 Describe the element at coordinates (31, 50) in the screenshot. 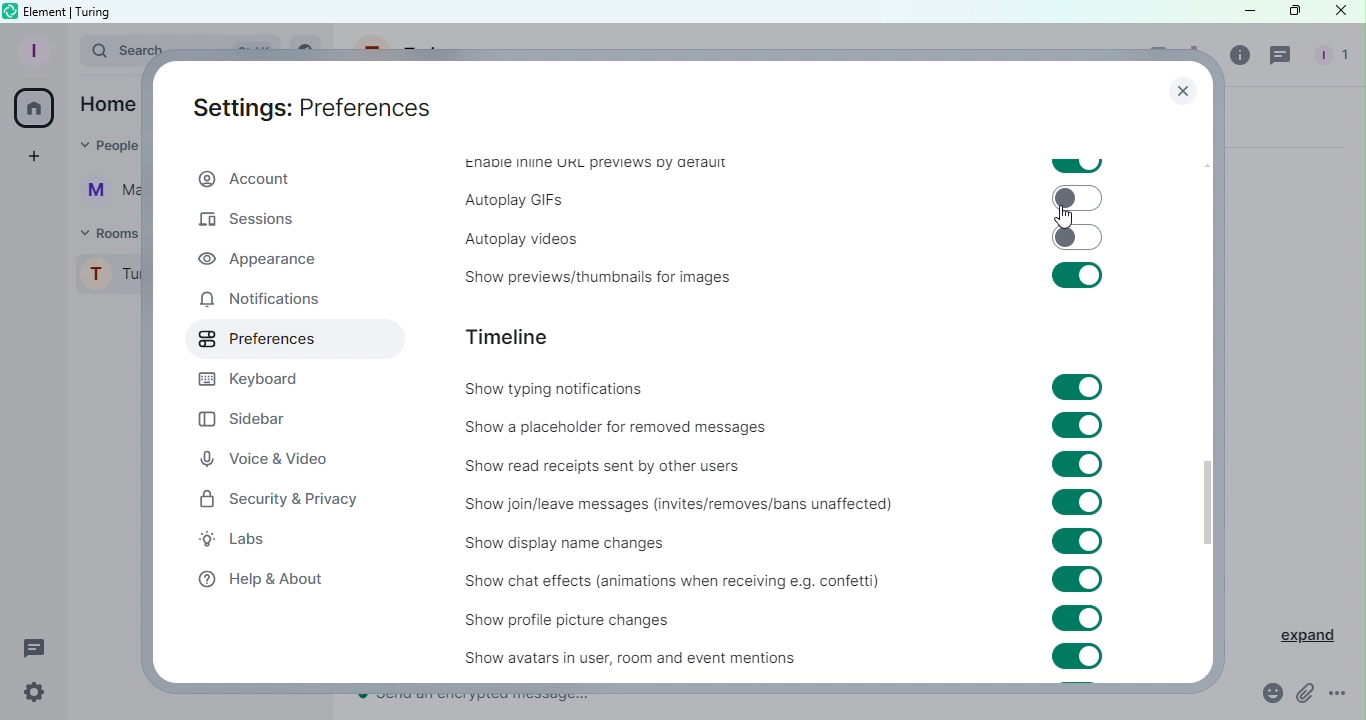

I see `Profile` at that location.